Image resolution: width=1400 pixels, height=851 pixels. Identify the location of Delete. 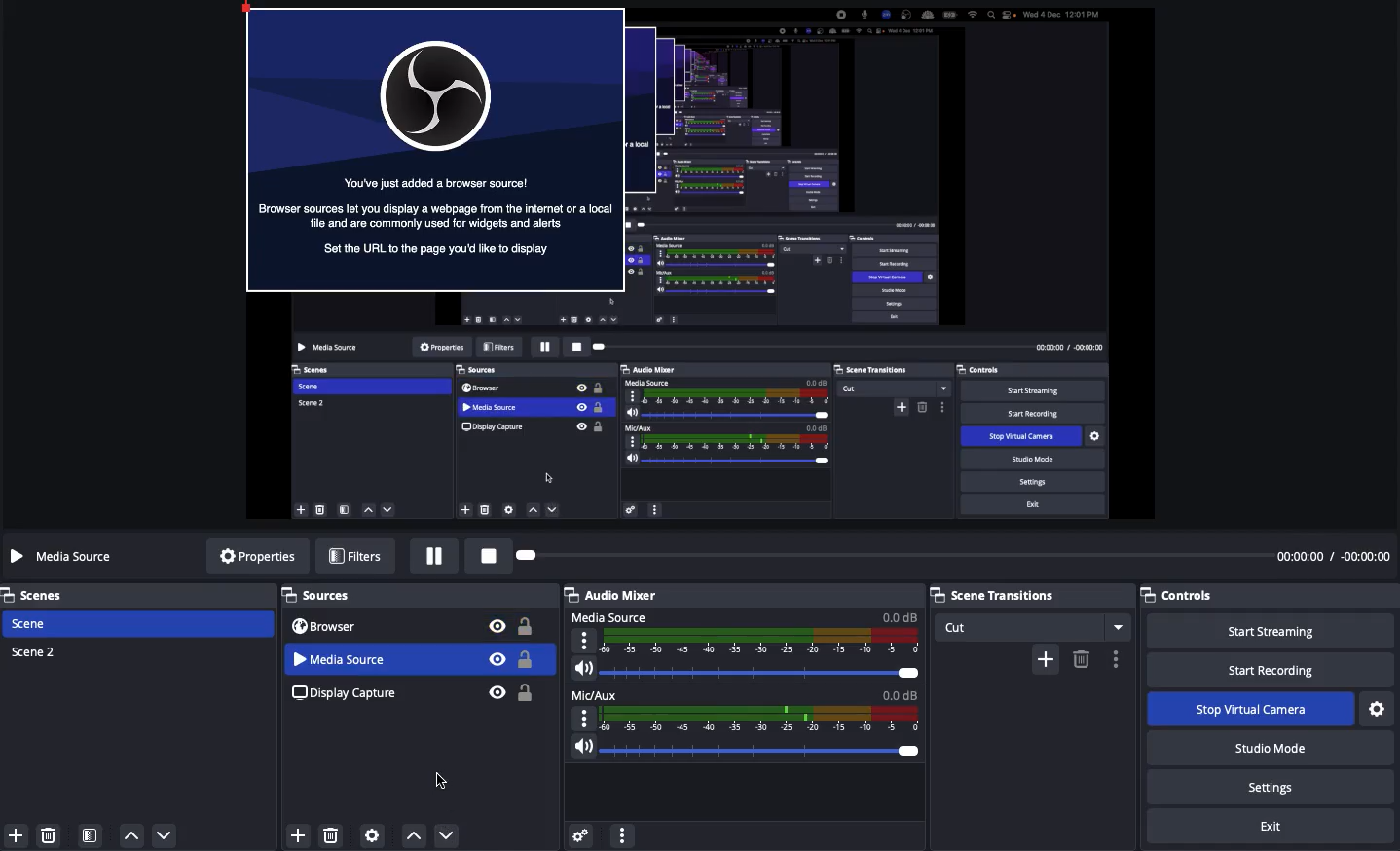
(335, 832).